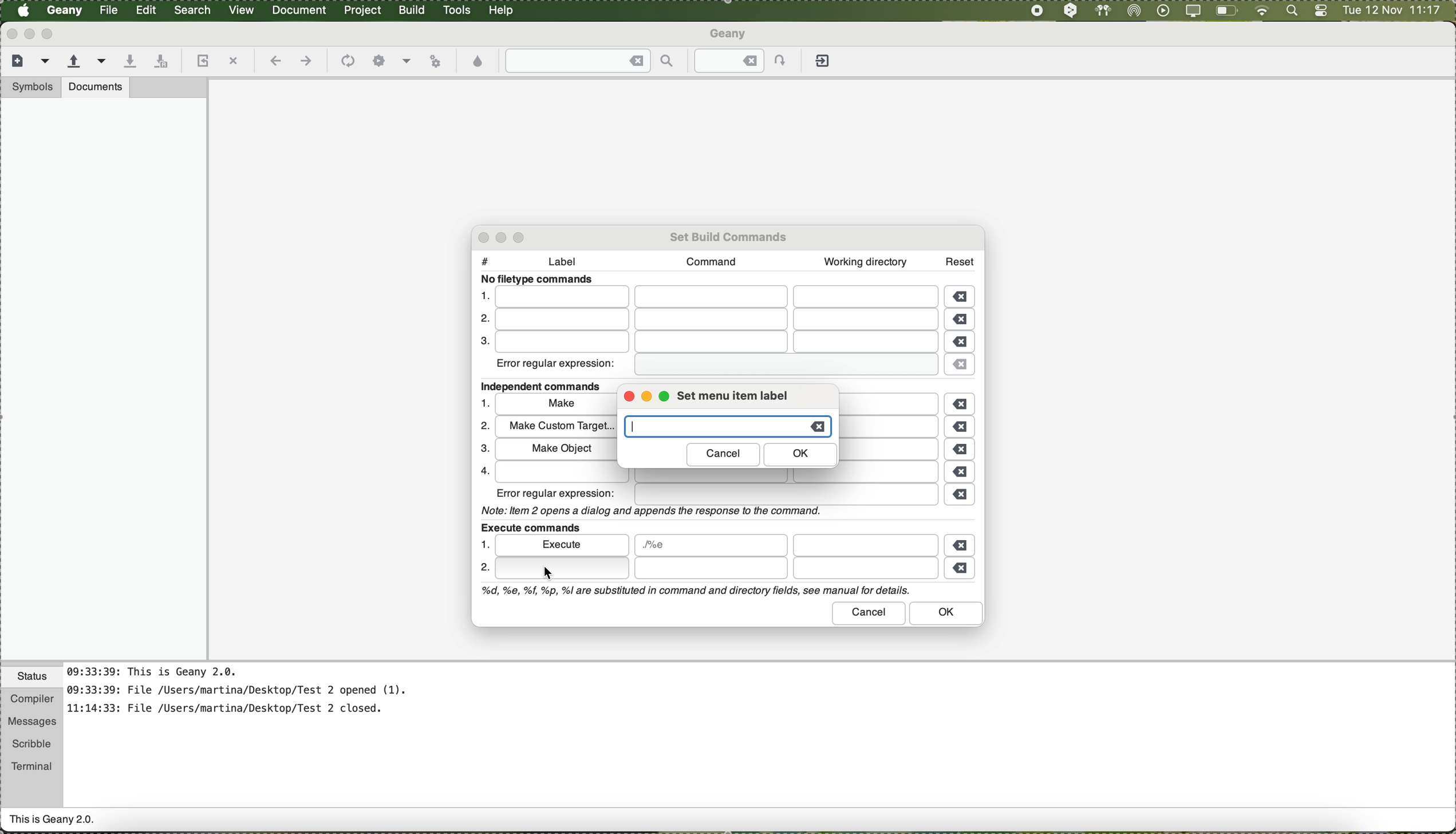  I want to click on 1, so click(483, 295).